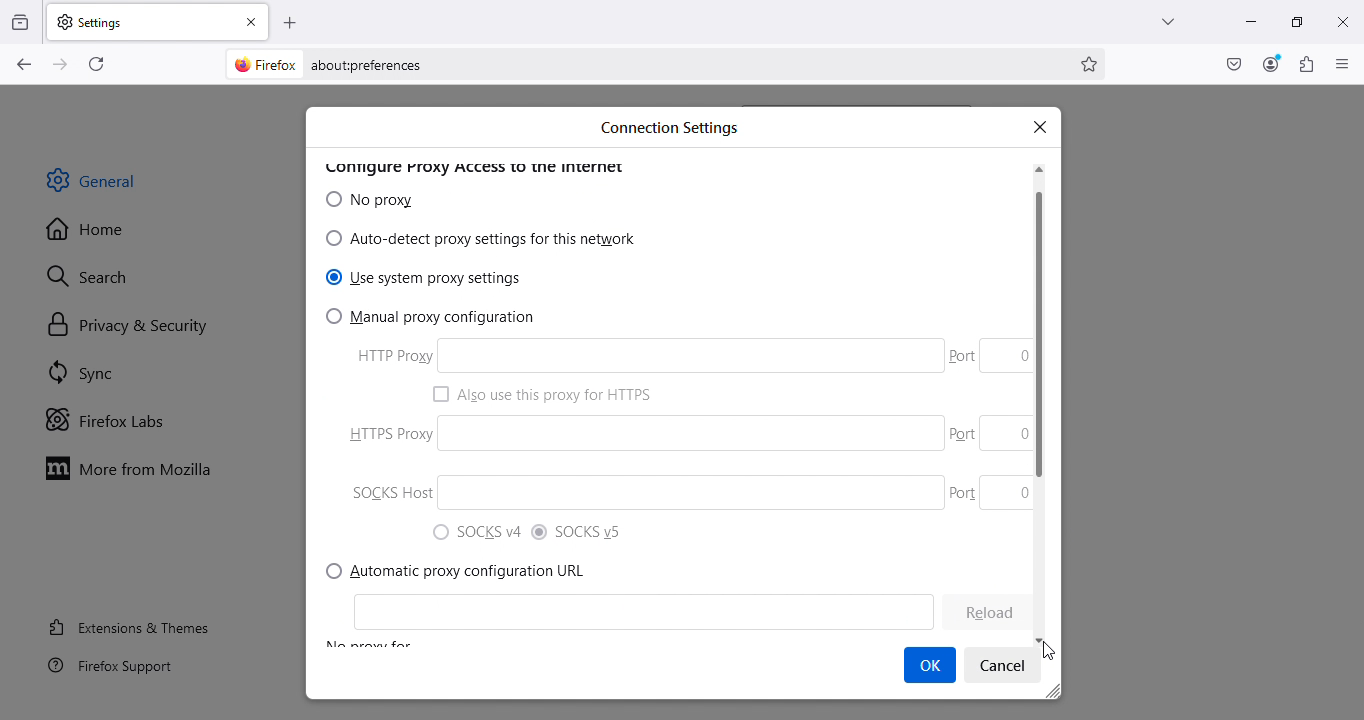 The image size is (1364, 720). What do you see at coordinates (686, 127) in the screenshot?
I see `Search bar` at bounding box center [686, 127].